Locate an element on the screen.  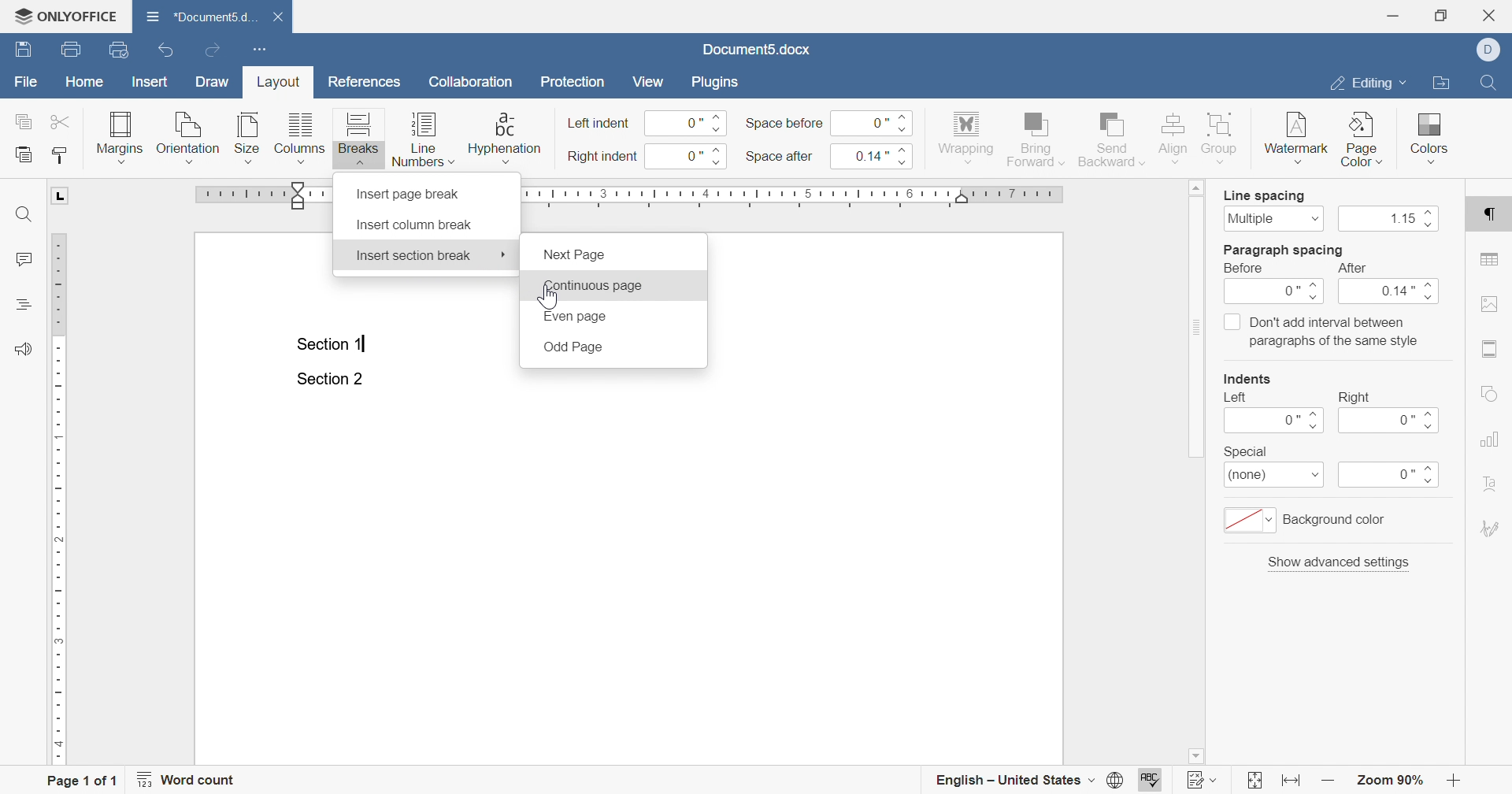
next page is located at coordinates (576, 255).